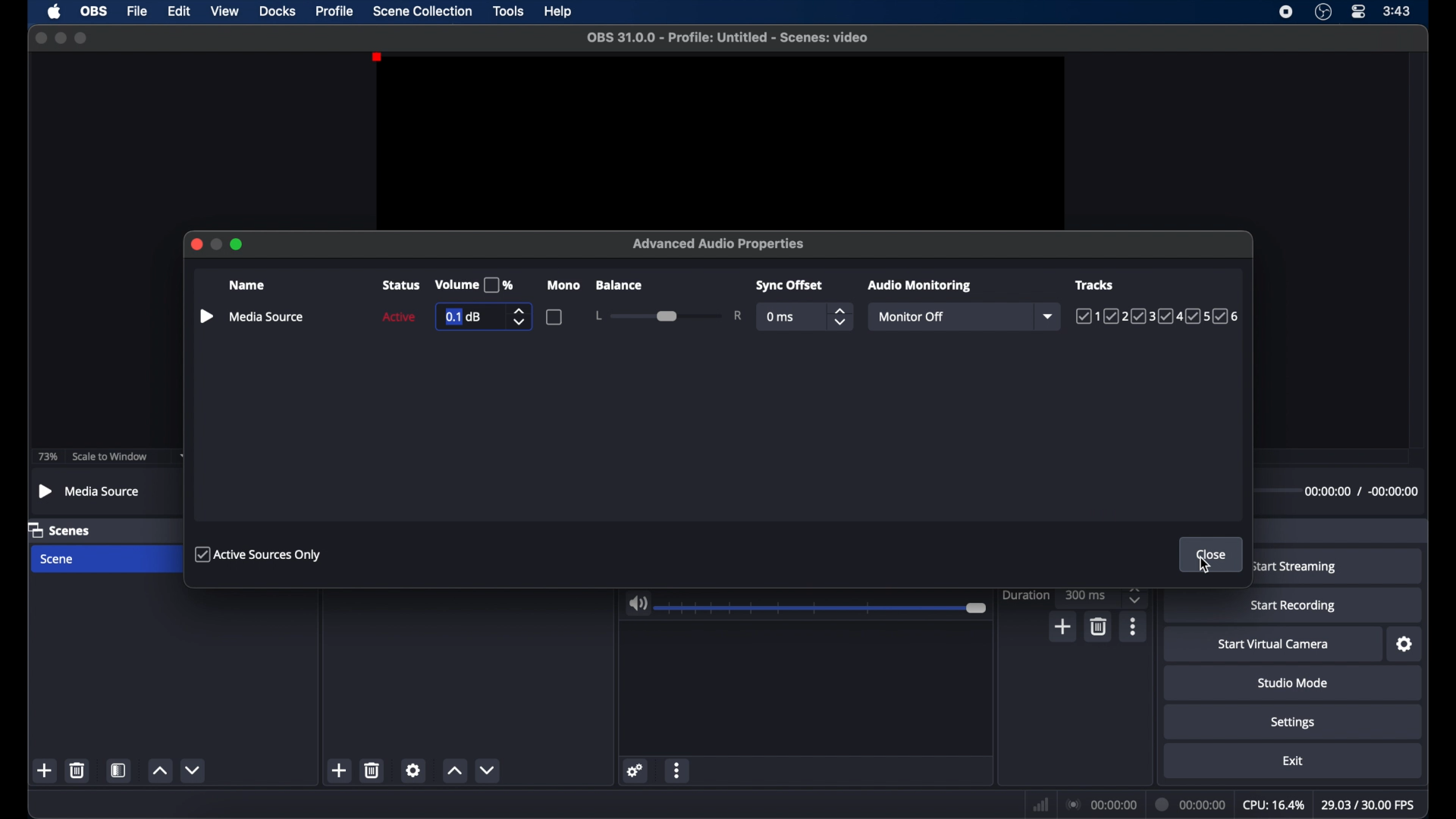 This screenshot has height=819, width=1456. I want to click on cpu: 16.4%, so click(1272, 805).